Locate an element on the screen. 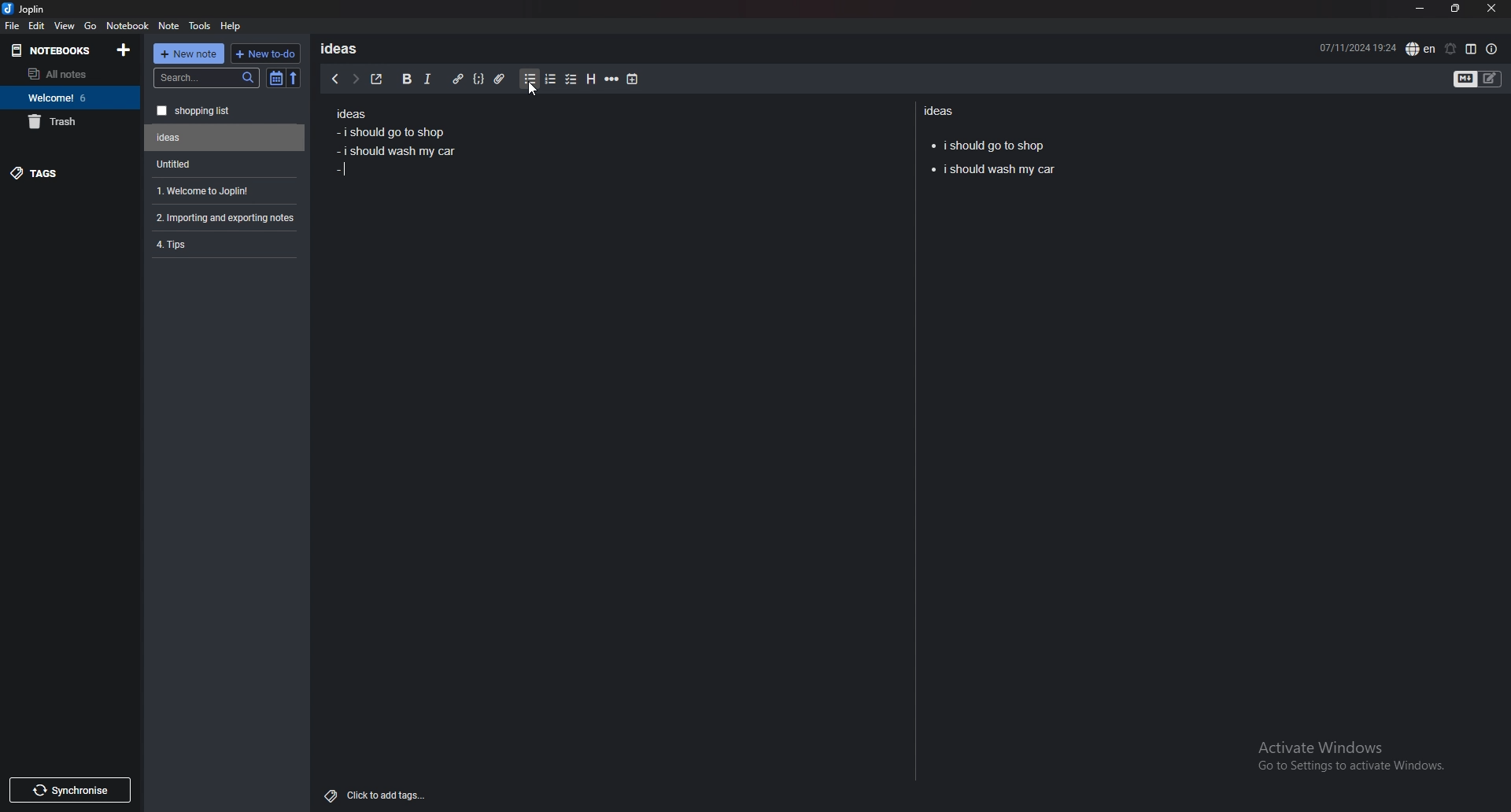  attachment is located at coordinates (501, 76).